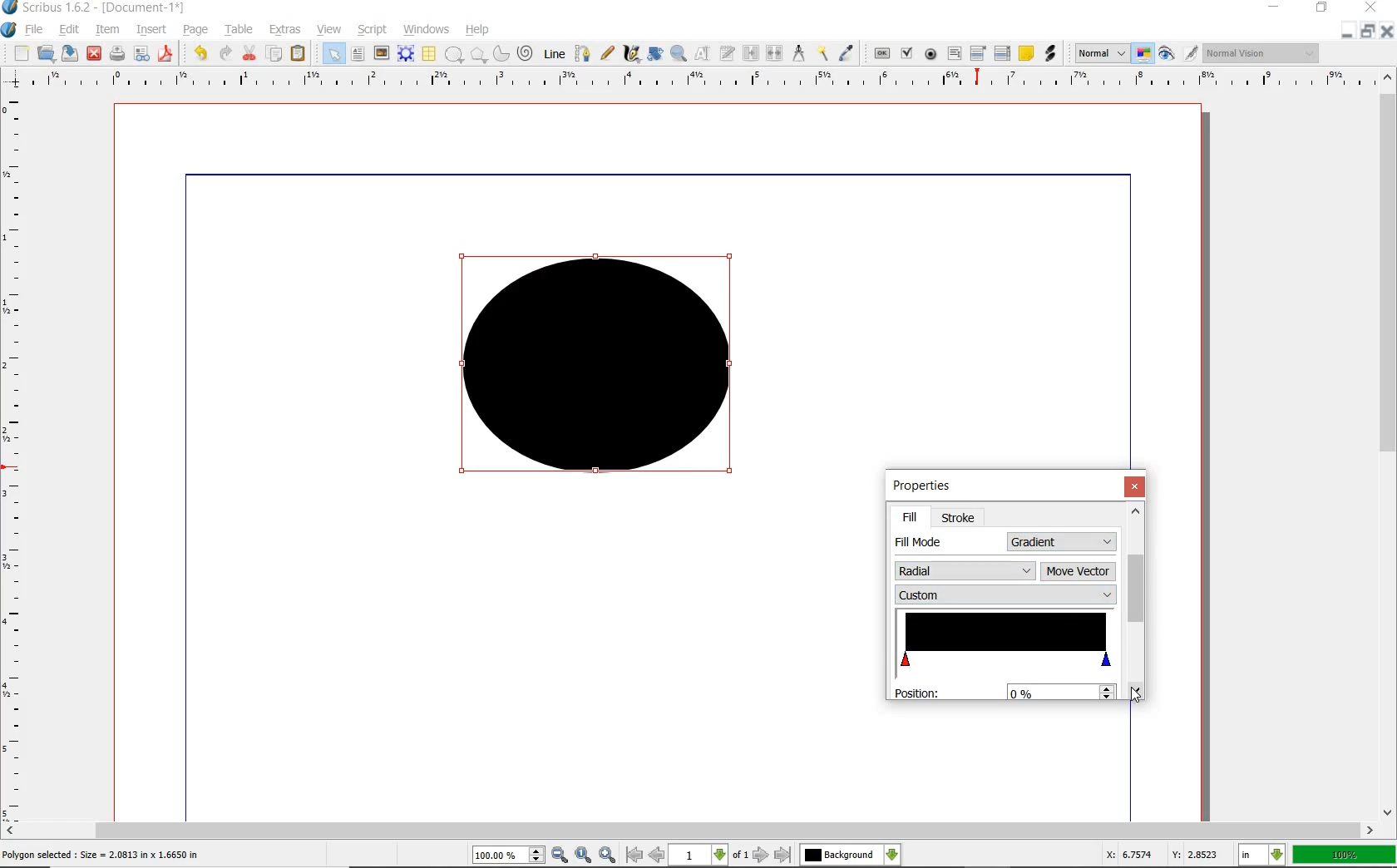 This screenshot has height=868, width=1397. Describe the element at coordinates (910, 517) in the screenshot. I see `fill` at that location.